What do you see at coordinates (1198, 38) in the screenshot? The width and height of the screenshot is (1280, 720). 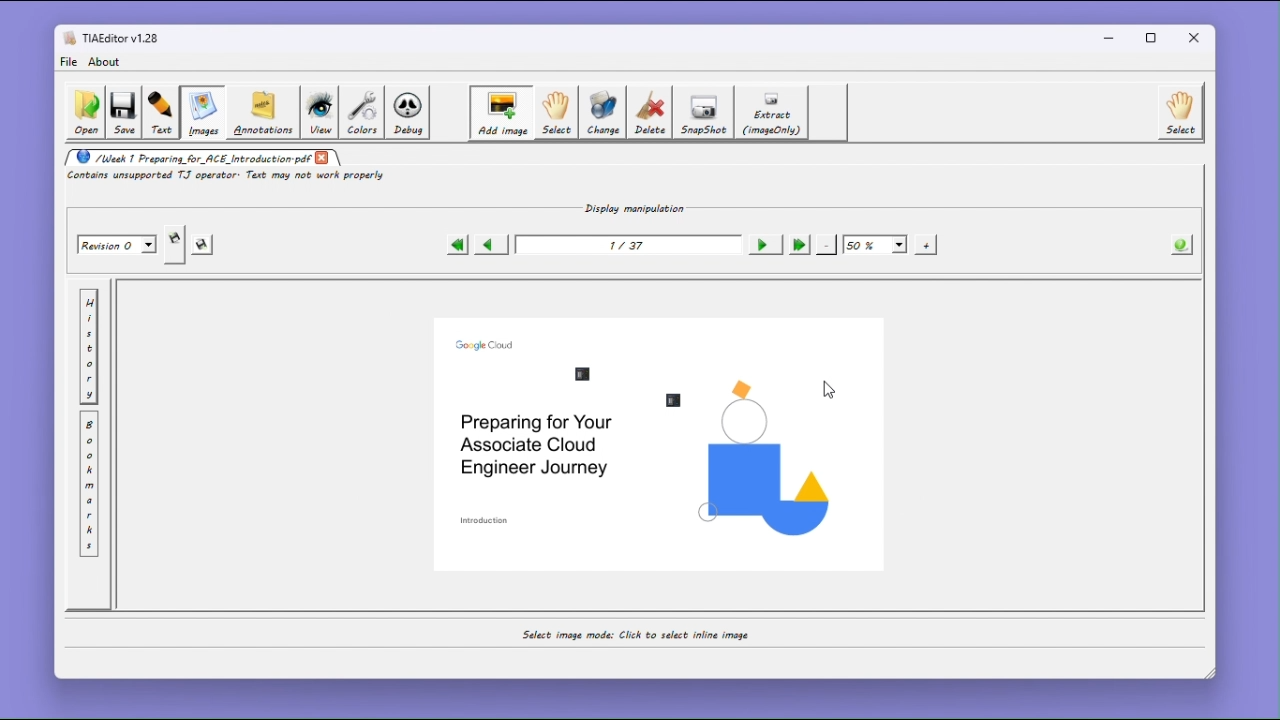 I see `close` at bounding box center [1198, 38].